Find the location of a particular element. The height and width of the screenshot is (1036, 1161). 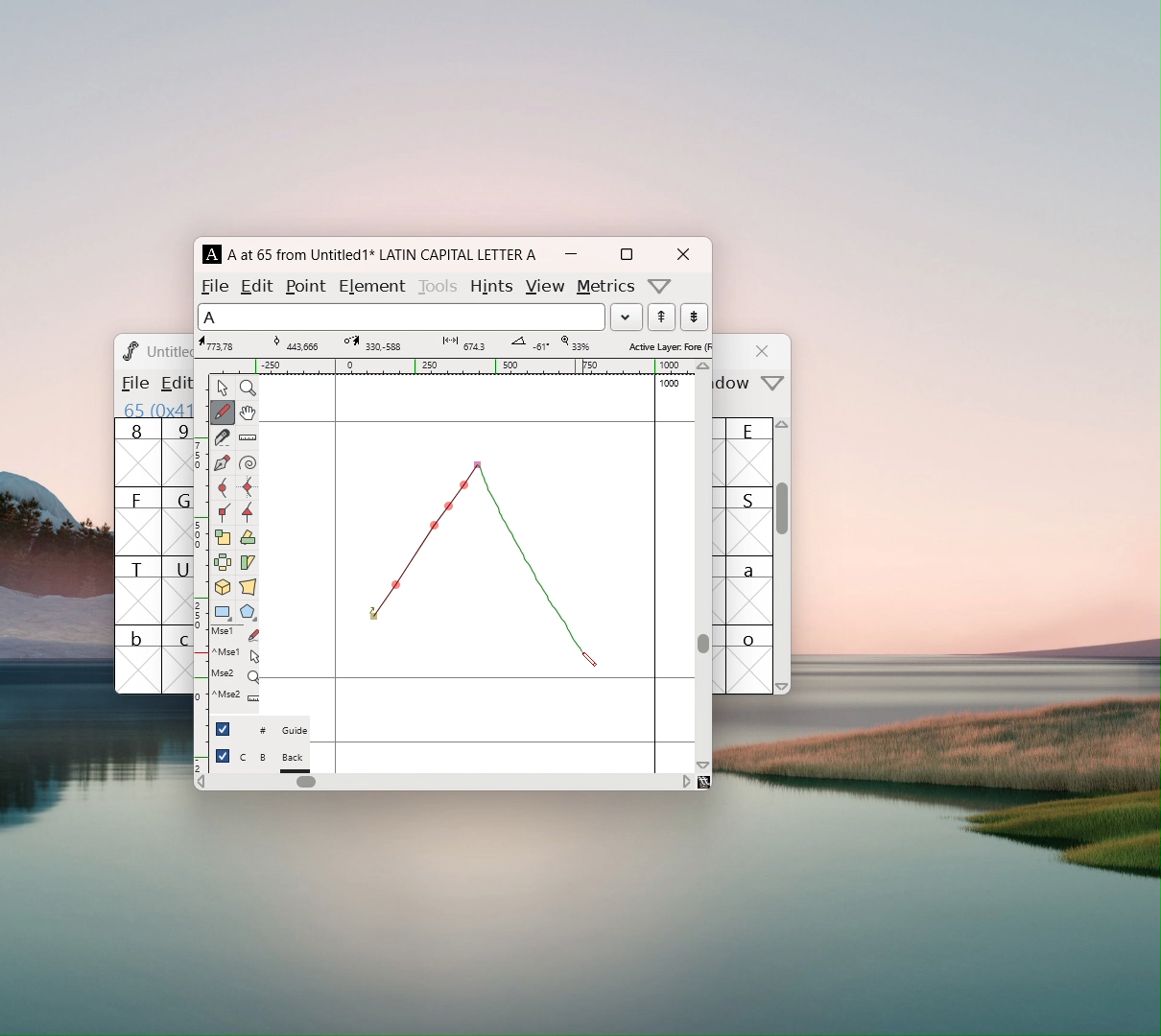

polygon or star is located at coordinates (249, 614).